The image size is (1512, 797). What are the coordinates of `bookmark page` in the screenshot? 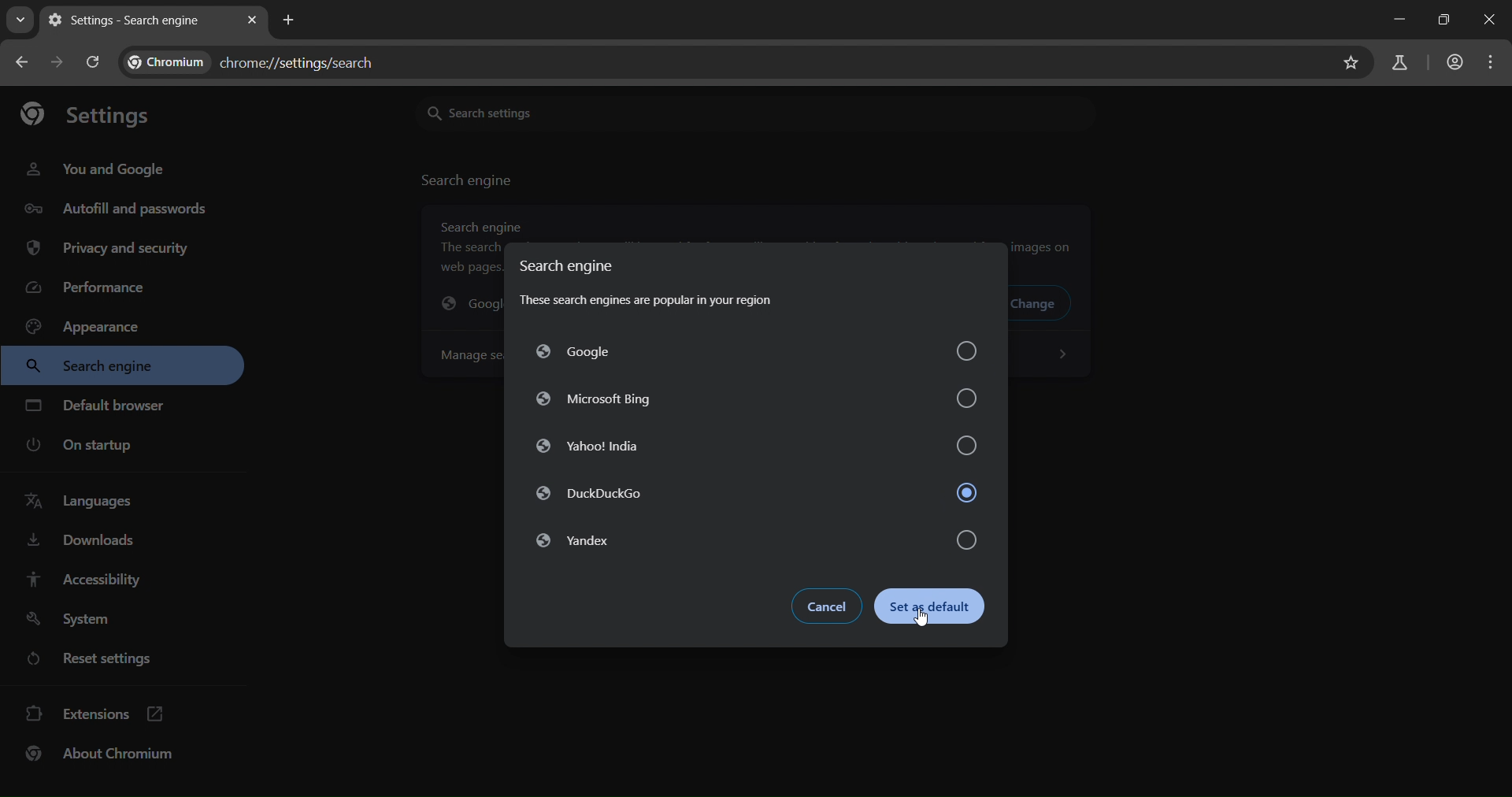 It's located at (1352, 62).